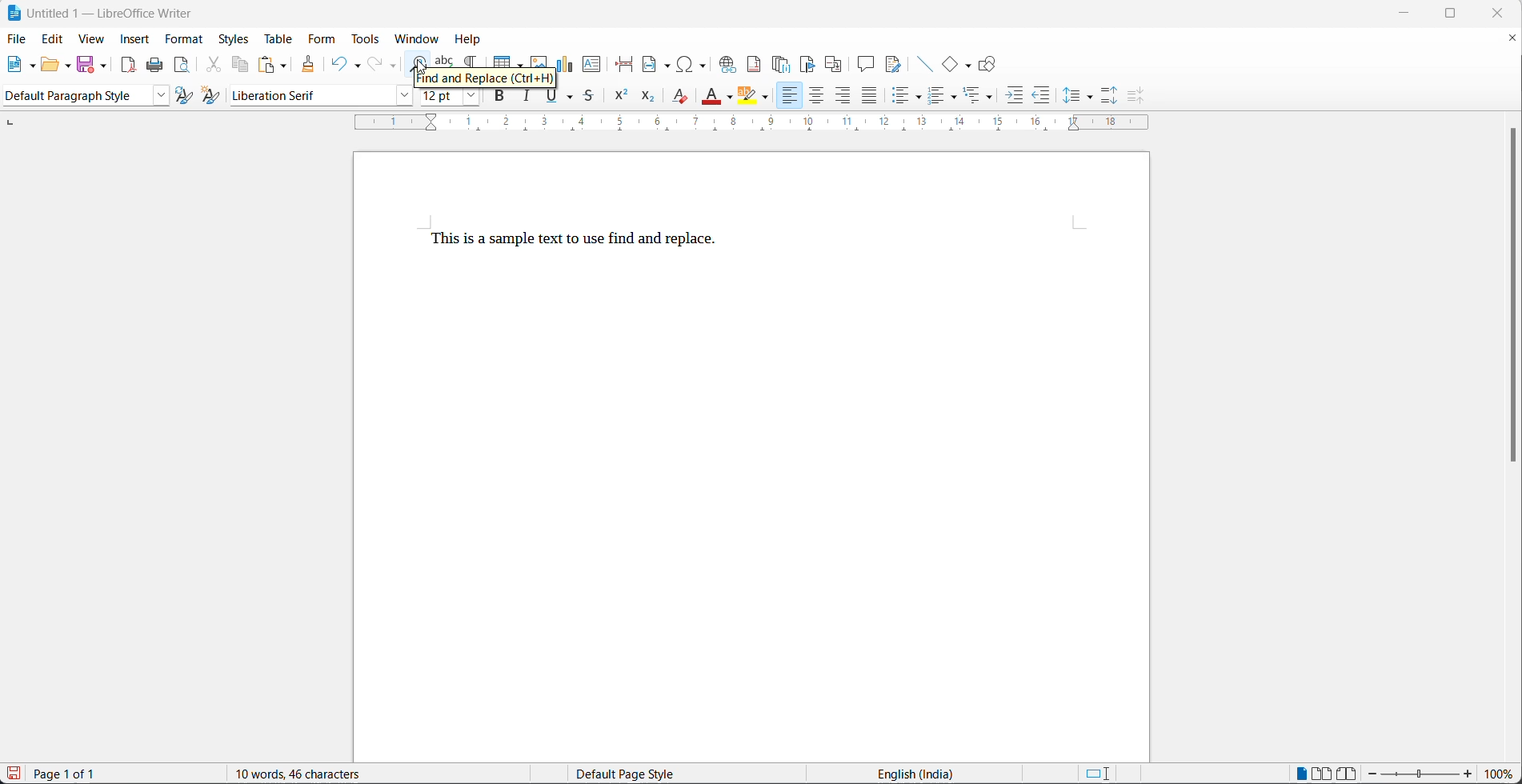  What do you see at coordinates (571, 98) in the screenshot?
I see `underline options` at bounding box center [571, 98].